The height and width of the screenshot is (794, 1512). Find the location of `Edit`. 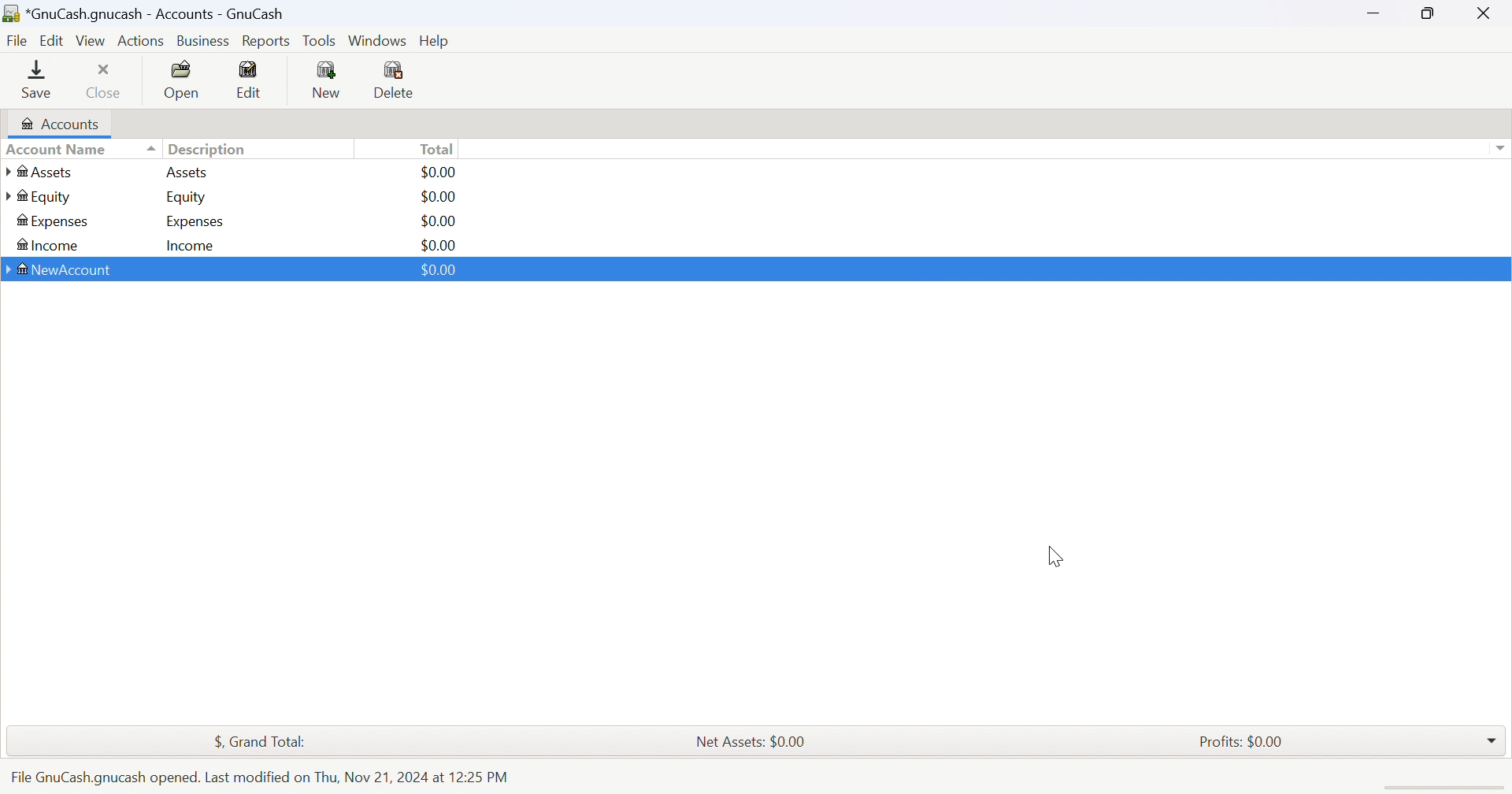

Edit is located at coordinates (250, 79).